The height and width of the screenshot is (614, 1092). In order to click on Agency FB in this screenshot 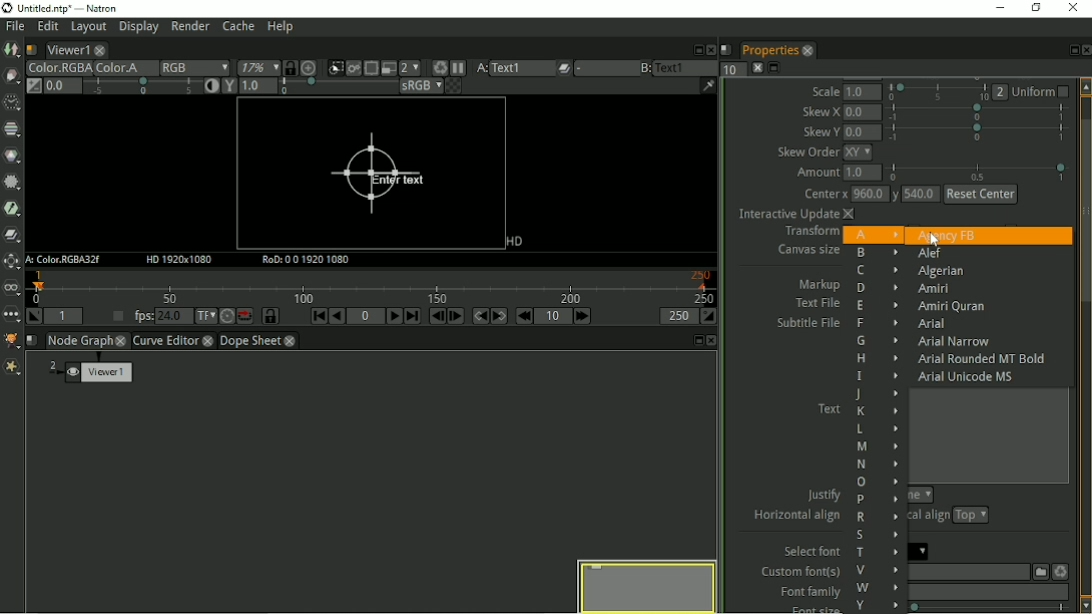, I will do `click(946, 235)`.